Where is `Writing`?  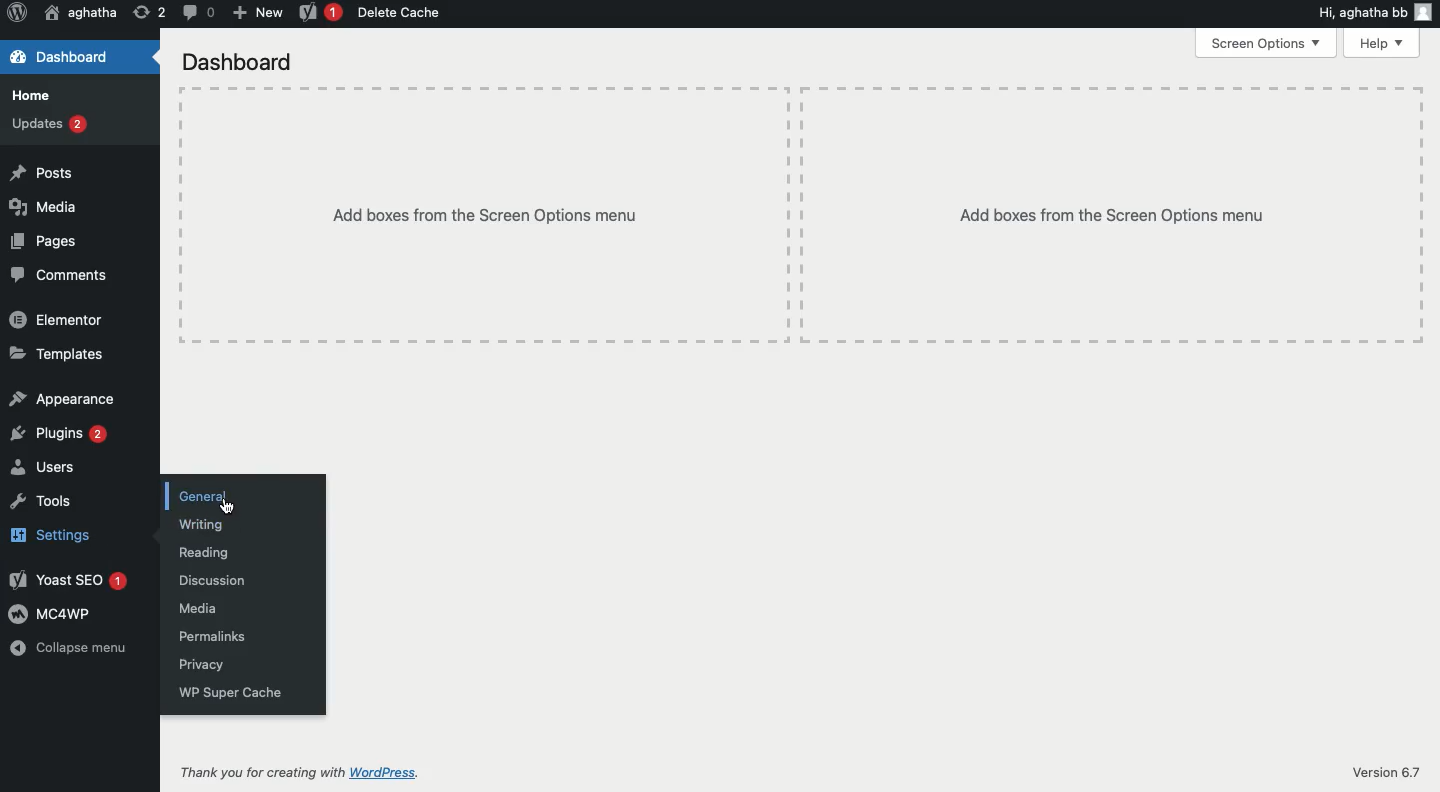 Writing is located at coordinates (197, 523).